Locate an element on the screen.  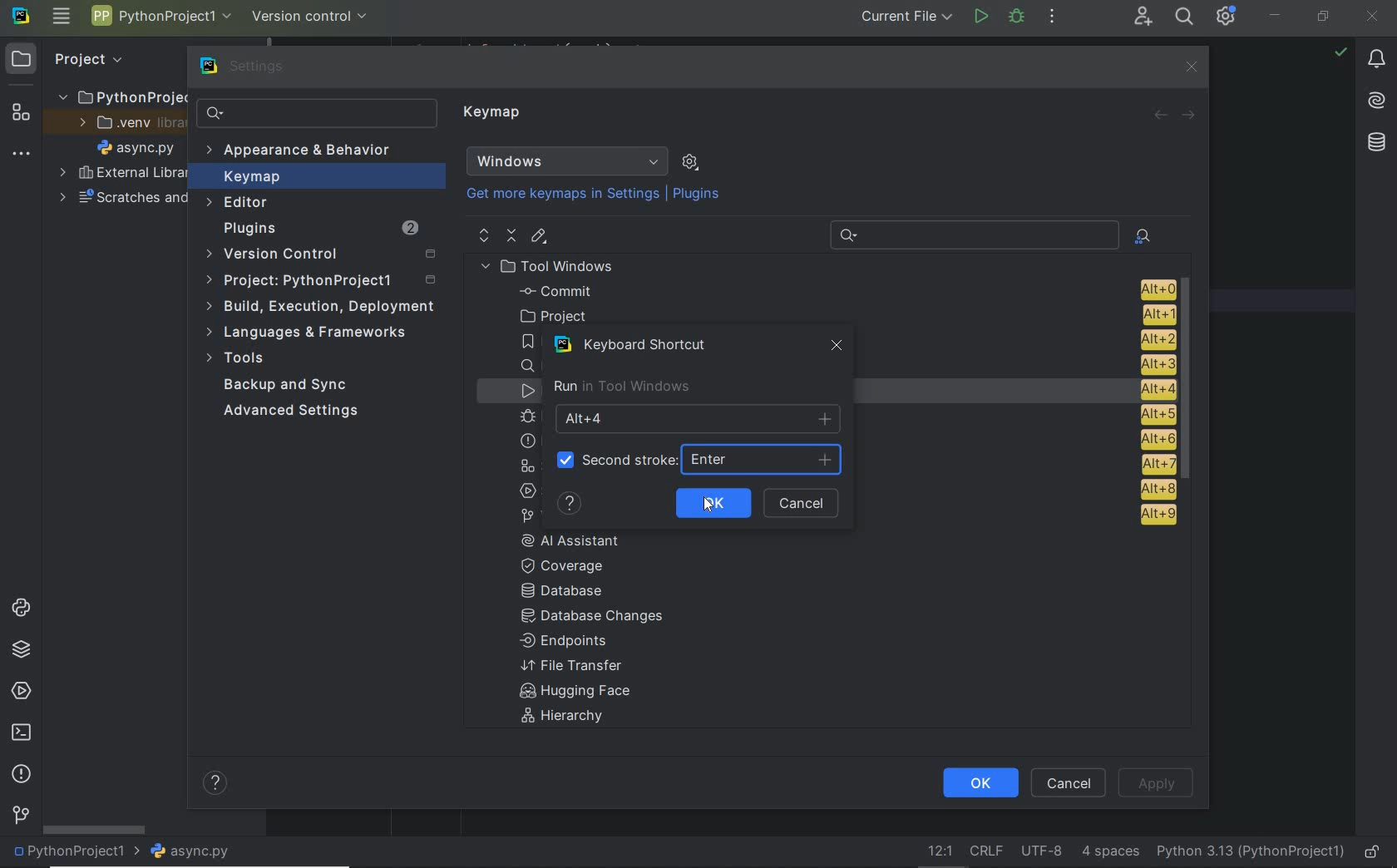
Plugins is located at coordinates (318, 229).